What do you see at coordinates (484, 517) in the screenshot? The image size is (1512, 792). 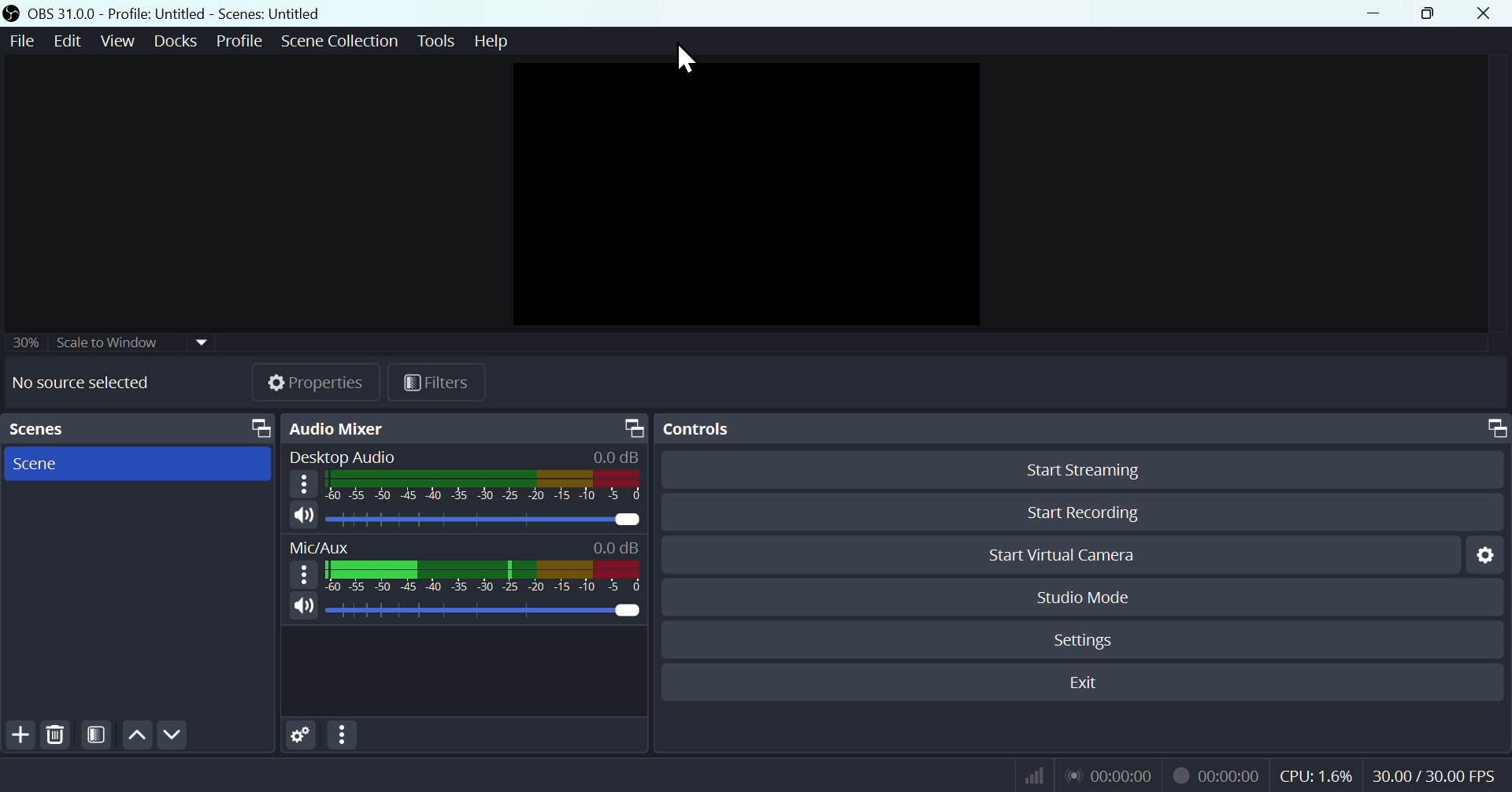 I see `Desktop Audio` at bounding box center [484, 517].